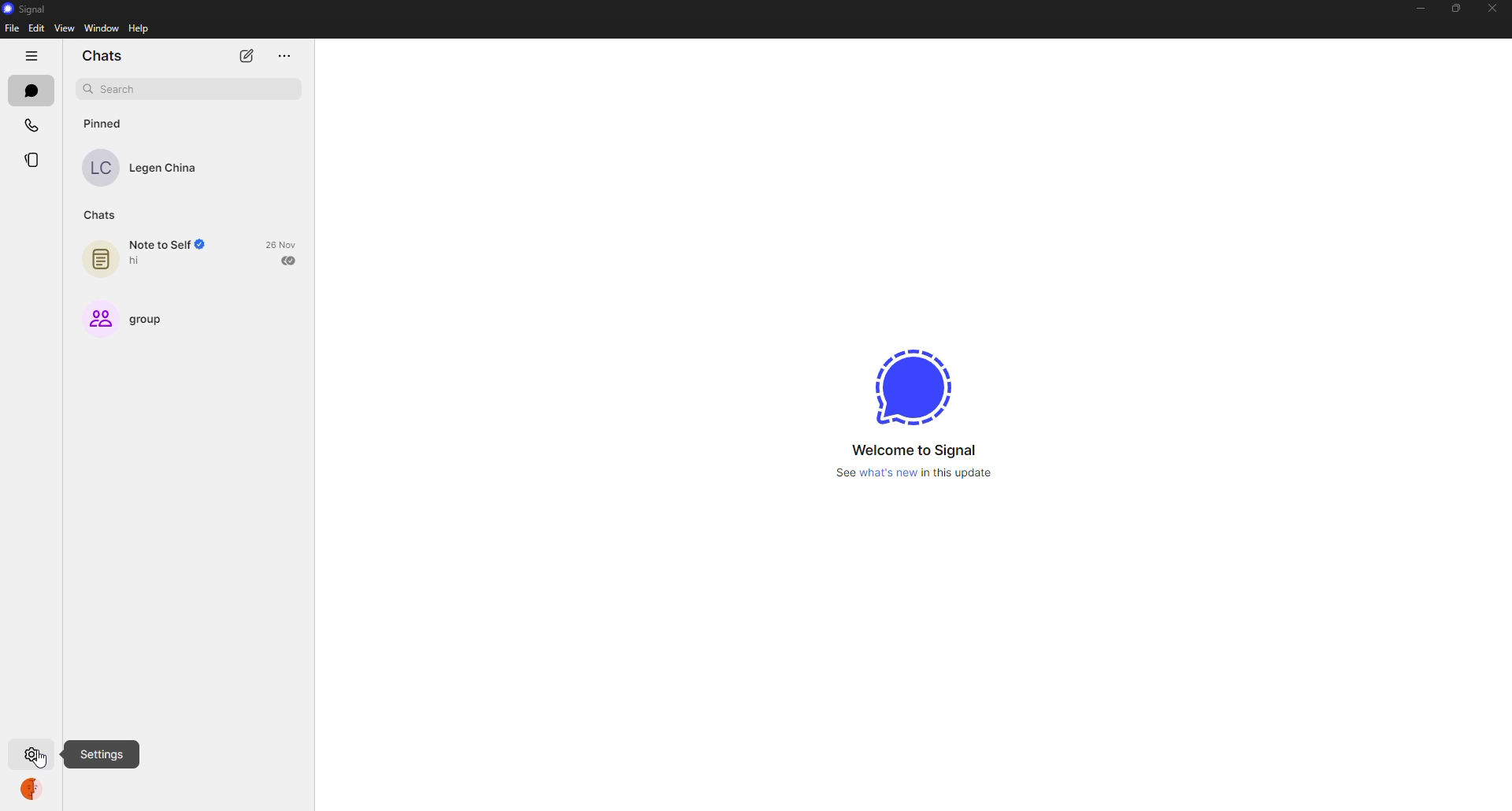  Describe the element at coordinates (246, 57) in the screenshot. I see `new chat` at that location.